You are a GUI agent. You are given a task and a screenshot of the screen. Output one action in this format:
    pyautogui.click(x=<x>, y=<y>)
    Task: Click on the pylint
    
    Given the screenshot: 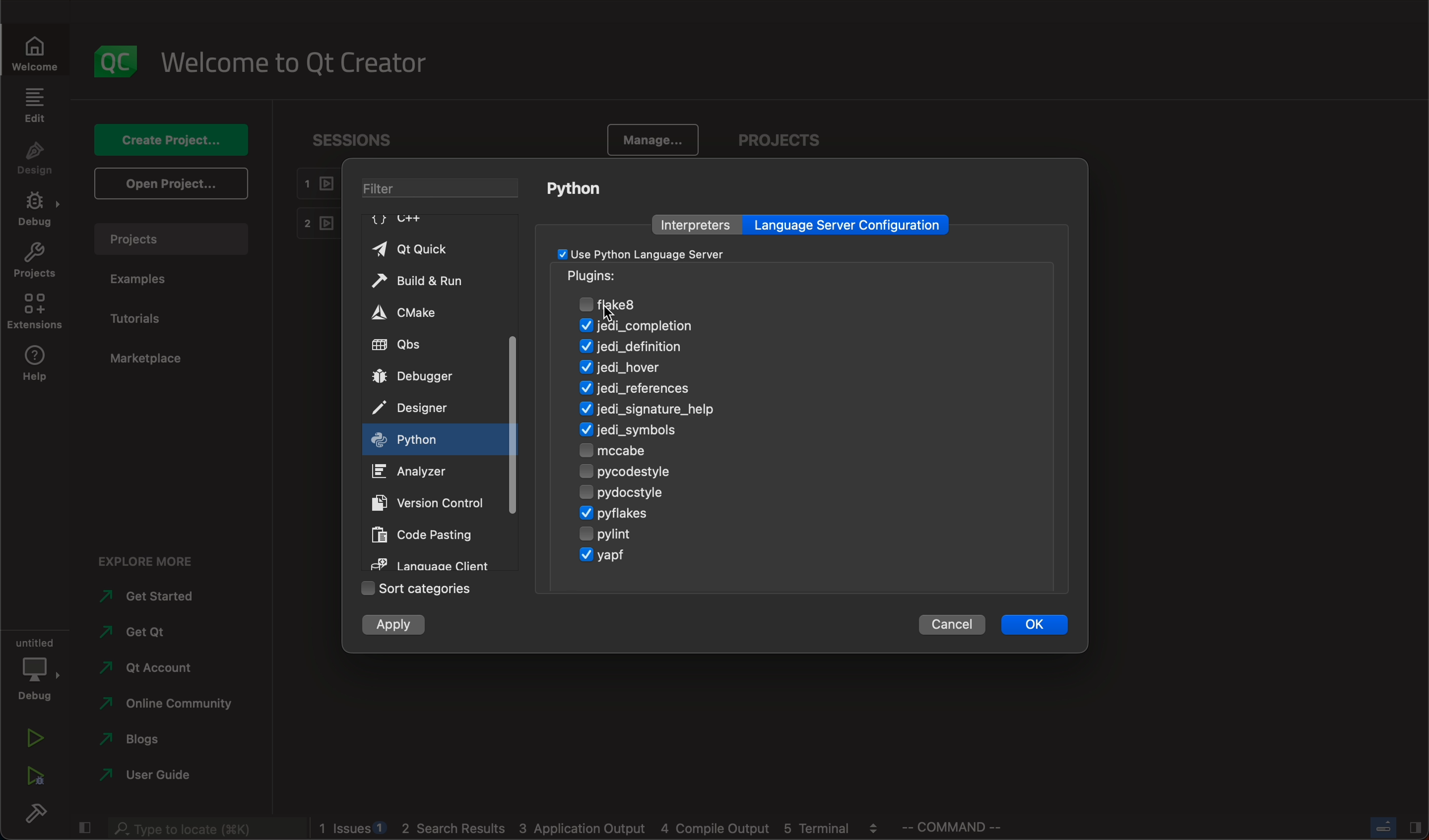 What is the action you would take?
    pyautogui.click(x=612, y=533)
    